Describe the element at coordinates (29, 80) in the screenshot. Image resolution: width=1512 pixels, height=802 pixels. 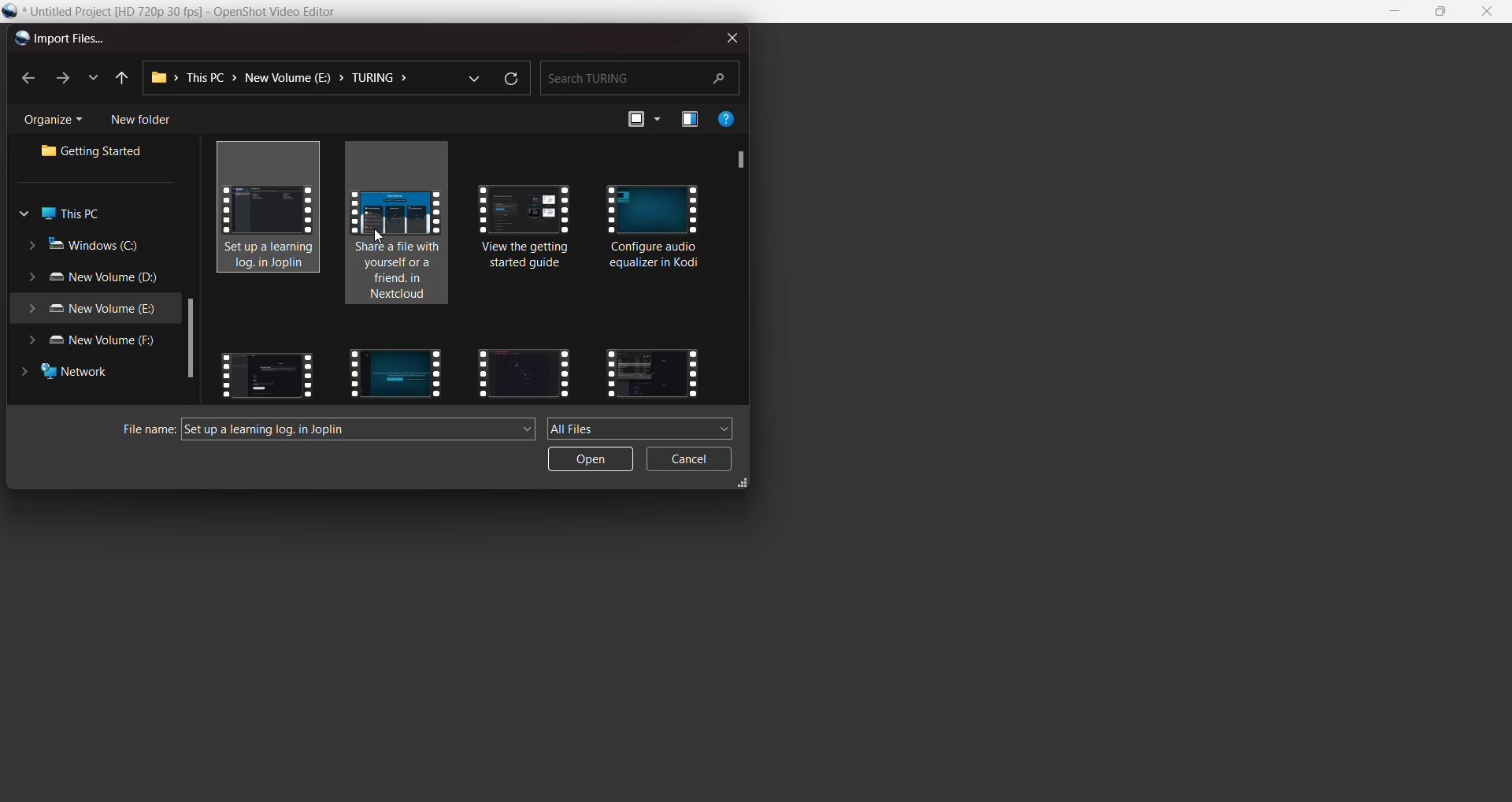
I see `back` at that location.